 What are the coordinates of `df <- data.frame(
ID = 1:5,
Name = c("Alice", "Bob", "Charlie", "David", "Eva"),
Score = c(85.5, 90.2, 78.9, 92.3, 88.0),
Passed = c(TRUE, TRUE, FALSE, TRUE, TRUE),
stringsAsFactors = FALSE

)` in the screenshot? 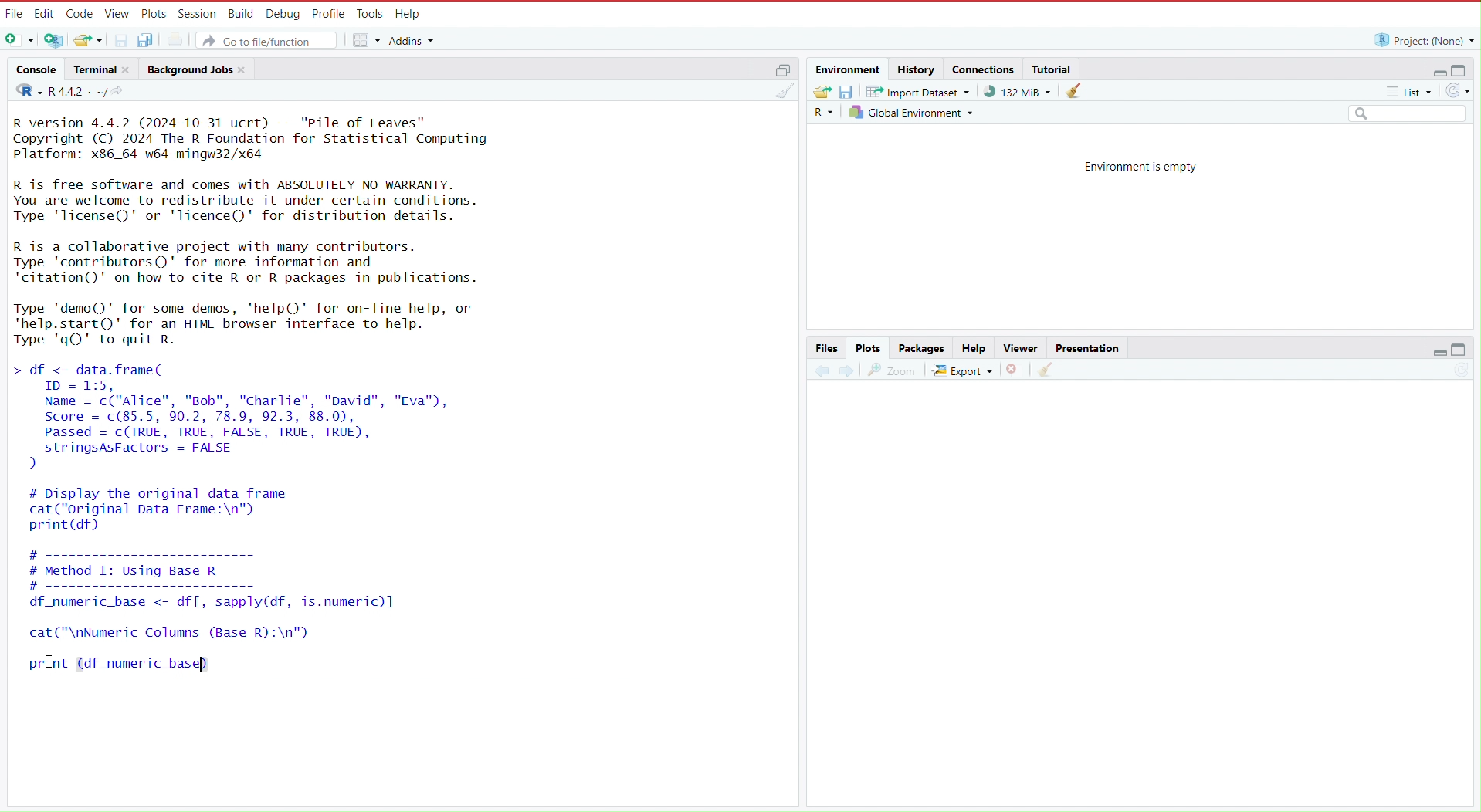 It's located at (252, 416).